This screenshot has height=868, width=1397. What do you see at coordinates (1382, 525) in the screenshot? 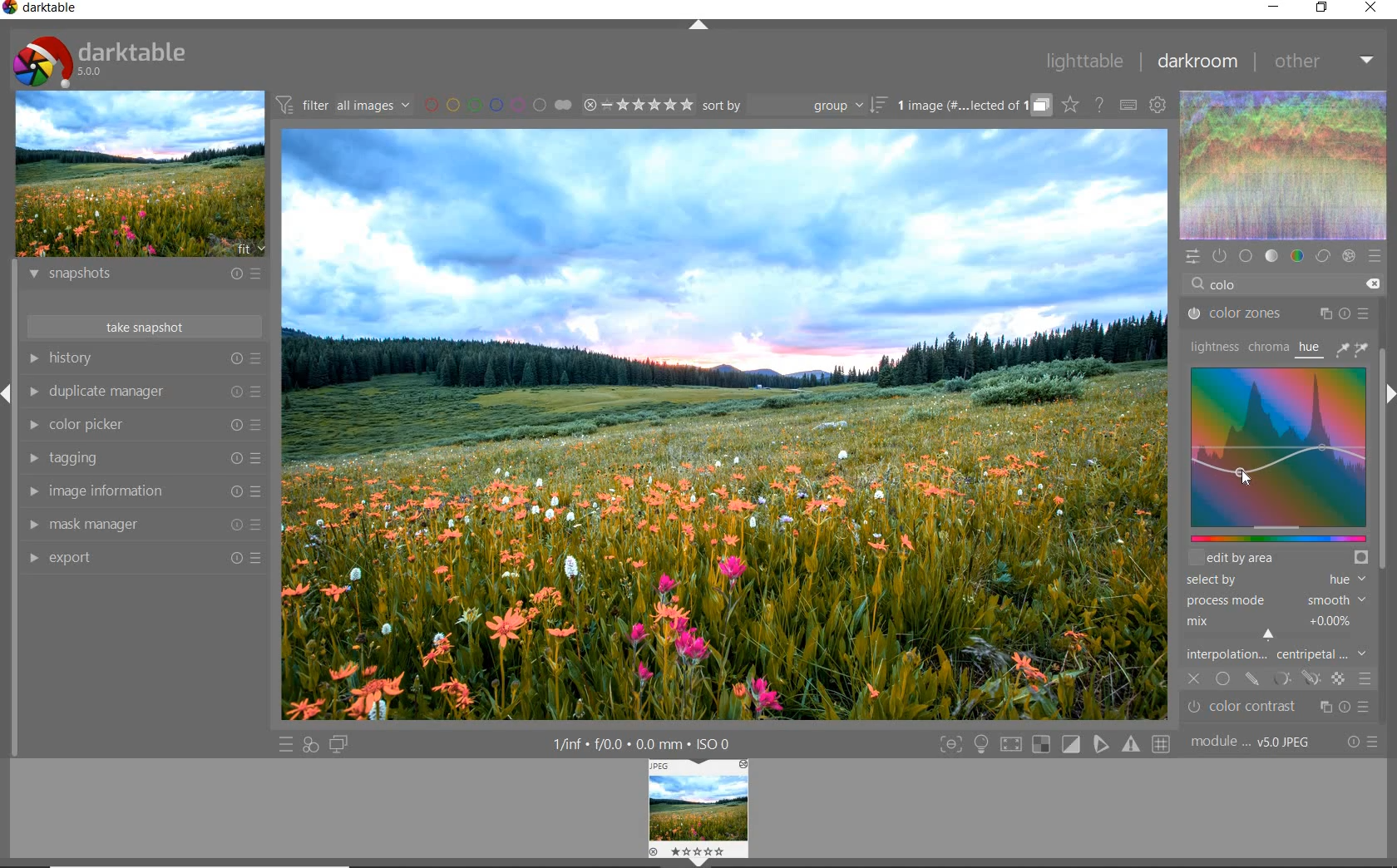
I see `scrollbar` at bounding box center [1382, 525].